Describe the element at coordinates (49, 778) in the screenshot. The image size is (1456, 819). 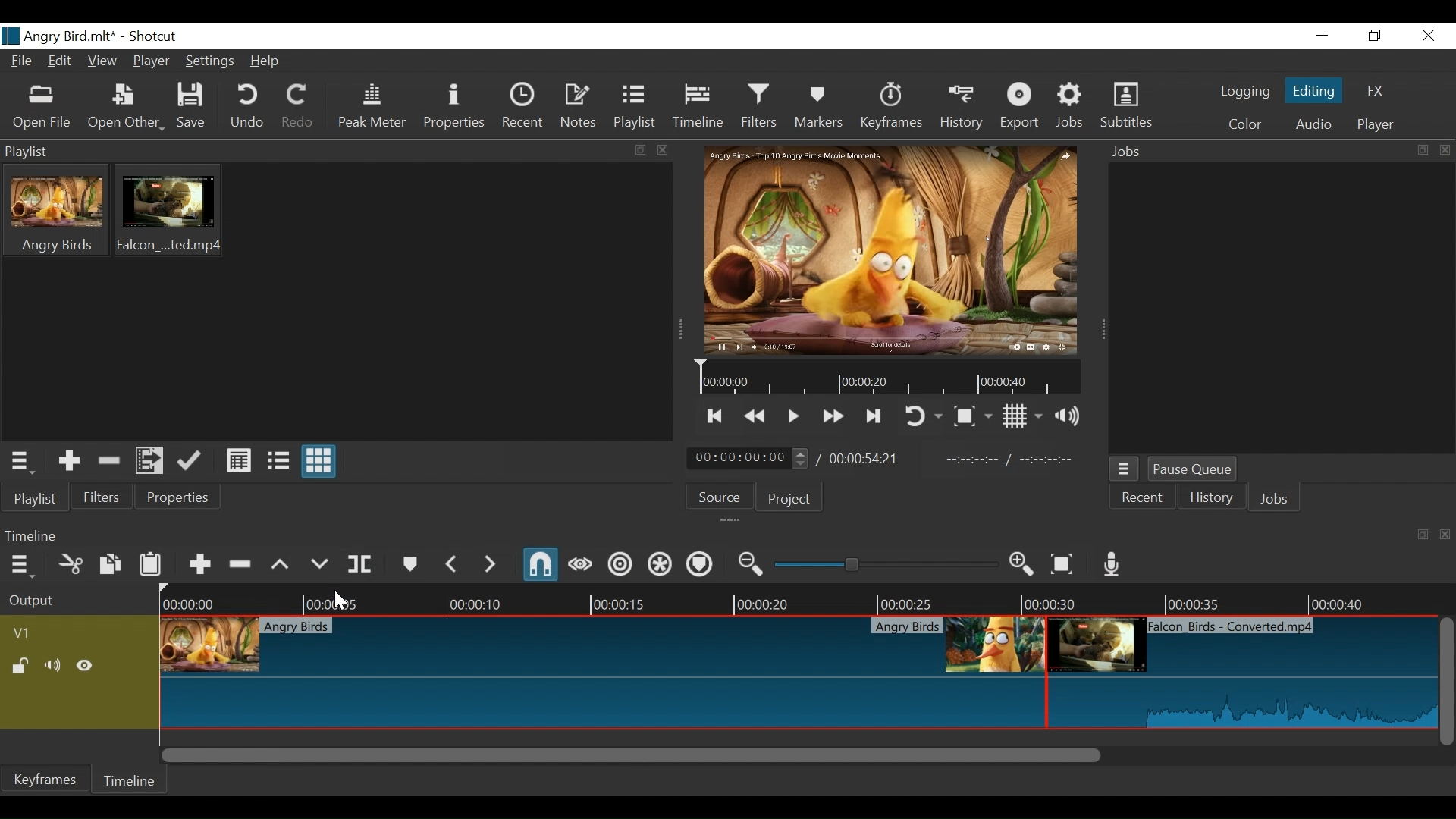
I see `Keyframe` at that location.